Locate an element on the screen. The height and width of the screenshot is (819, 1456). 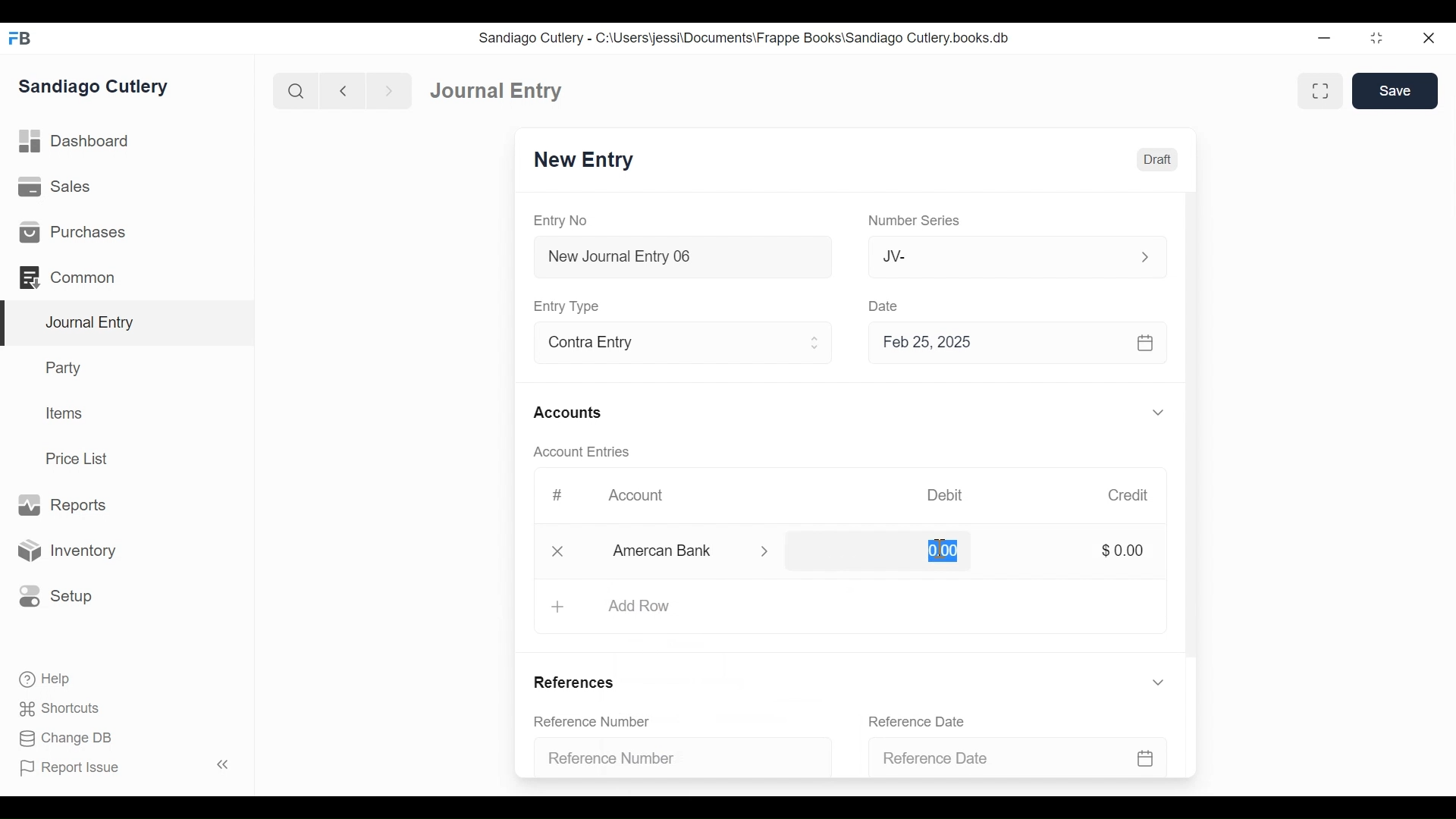
close is located at coordinates (561, 550).